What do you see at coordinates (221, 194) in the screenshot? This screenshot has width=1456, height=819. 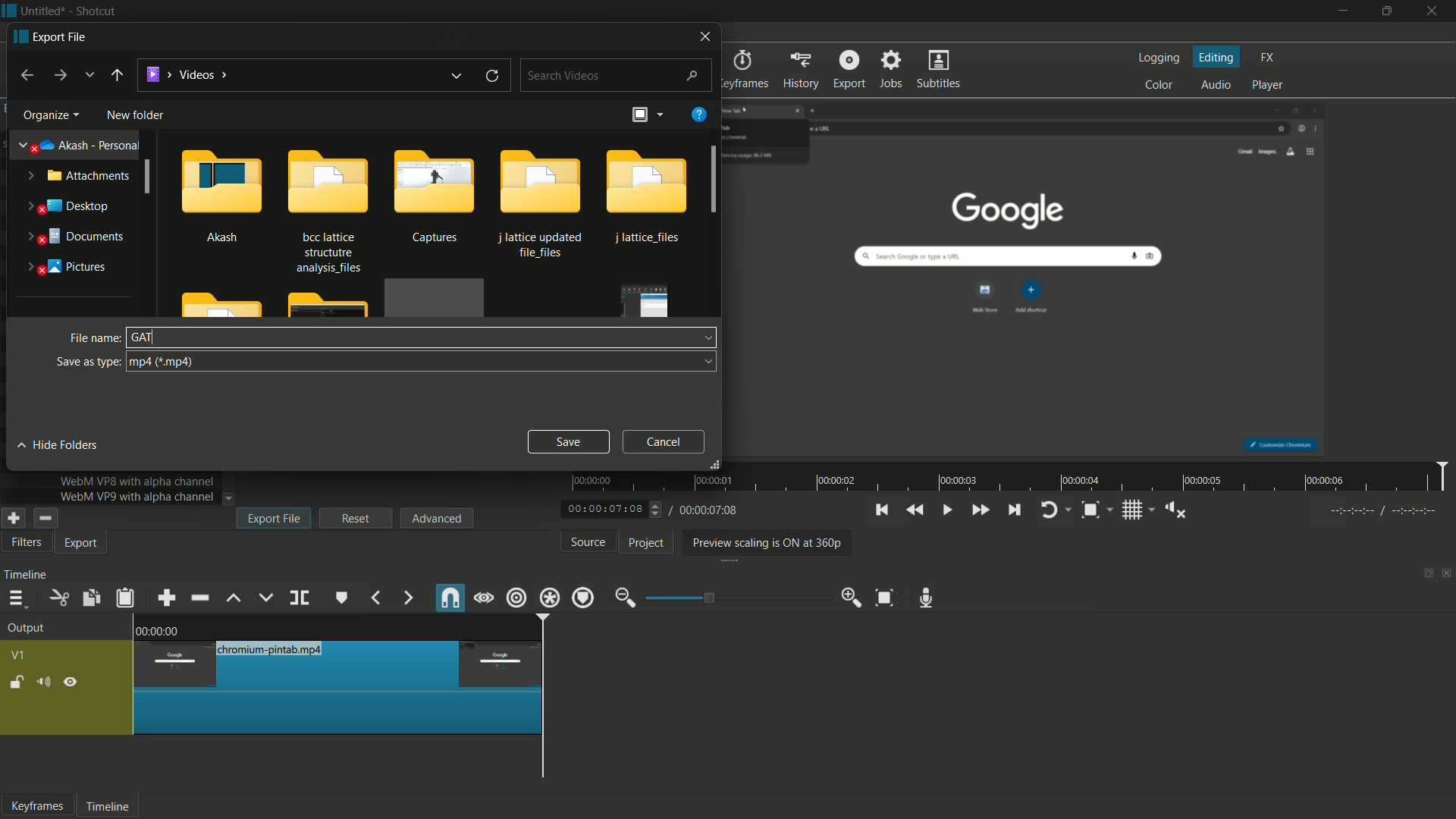 I see `folder-1` at bounding box center [221, 194].